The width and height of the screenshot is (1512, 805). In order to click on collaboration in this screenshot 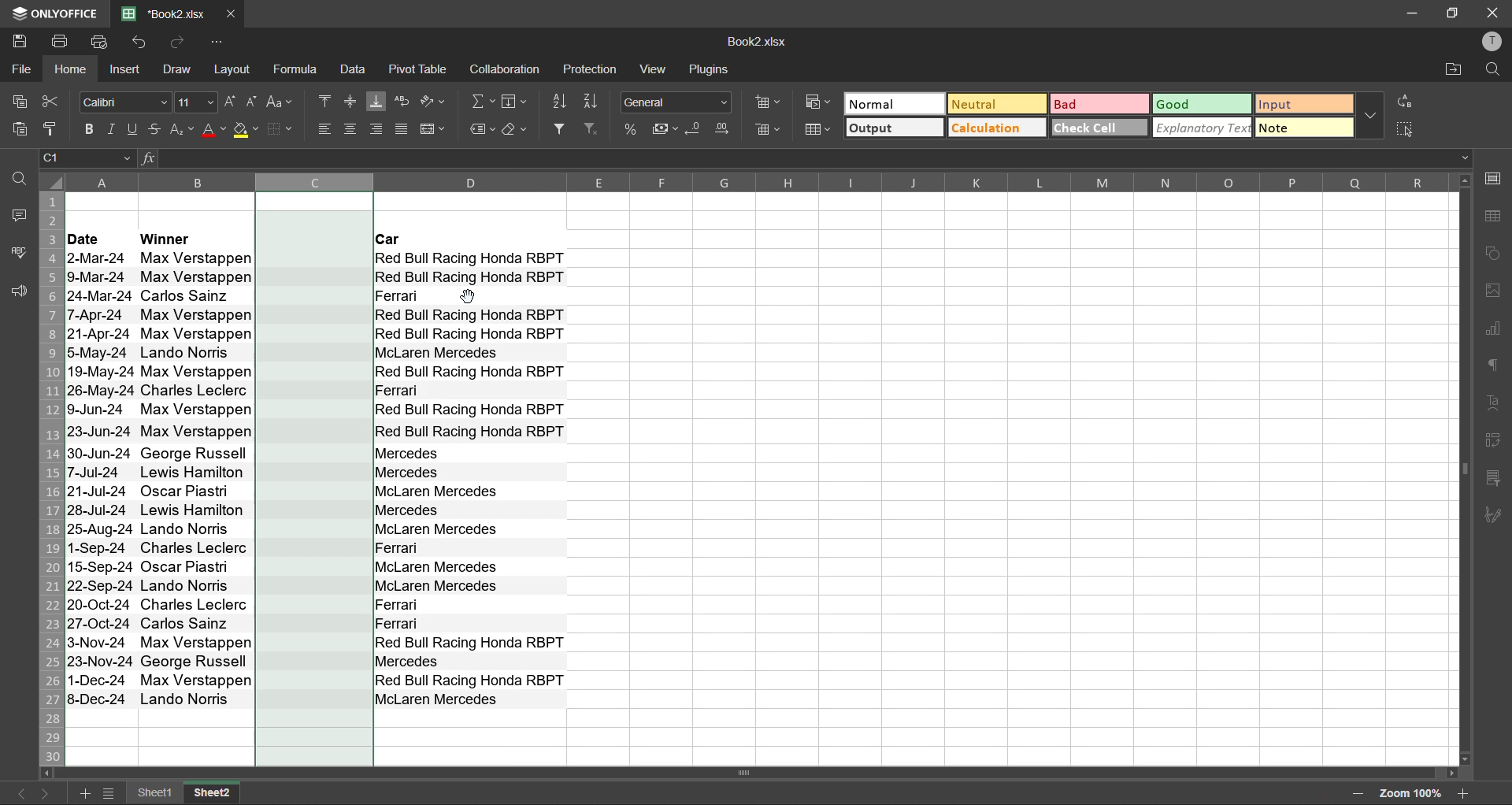, I will do `click(509, 72)`.